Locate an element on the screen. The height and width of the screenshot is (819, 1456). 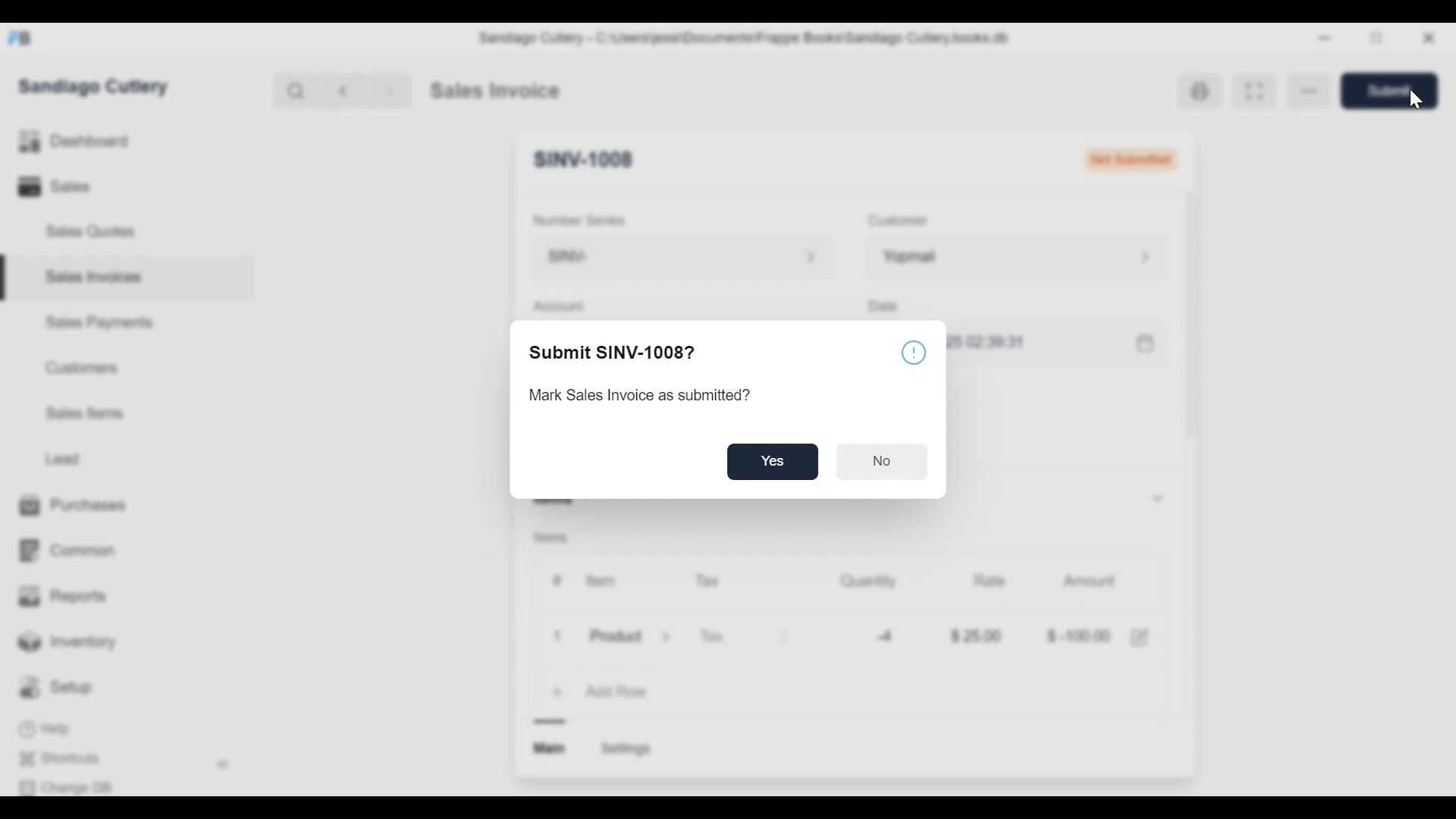
No is located at coordinates (883, 460).